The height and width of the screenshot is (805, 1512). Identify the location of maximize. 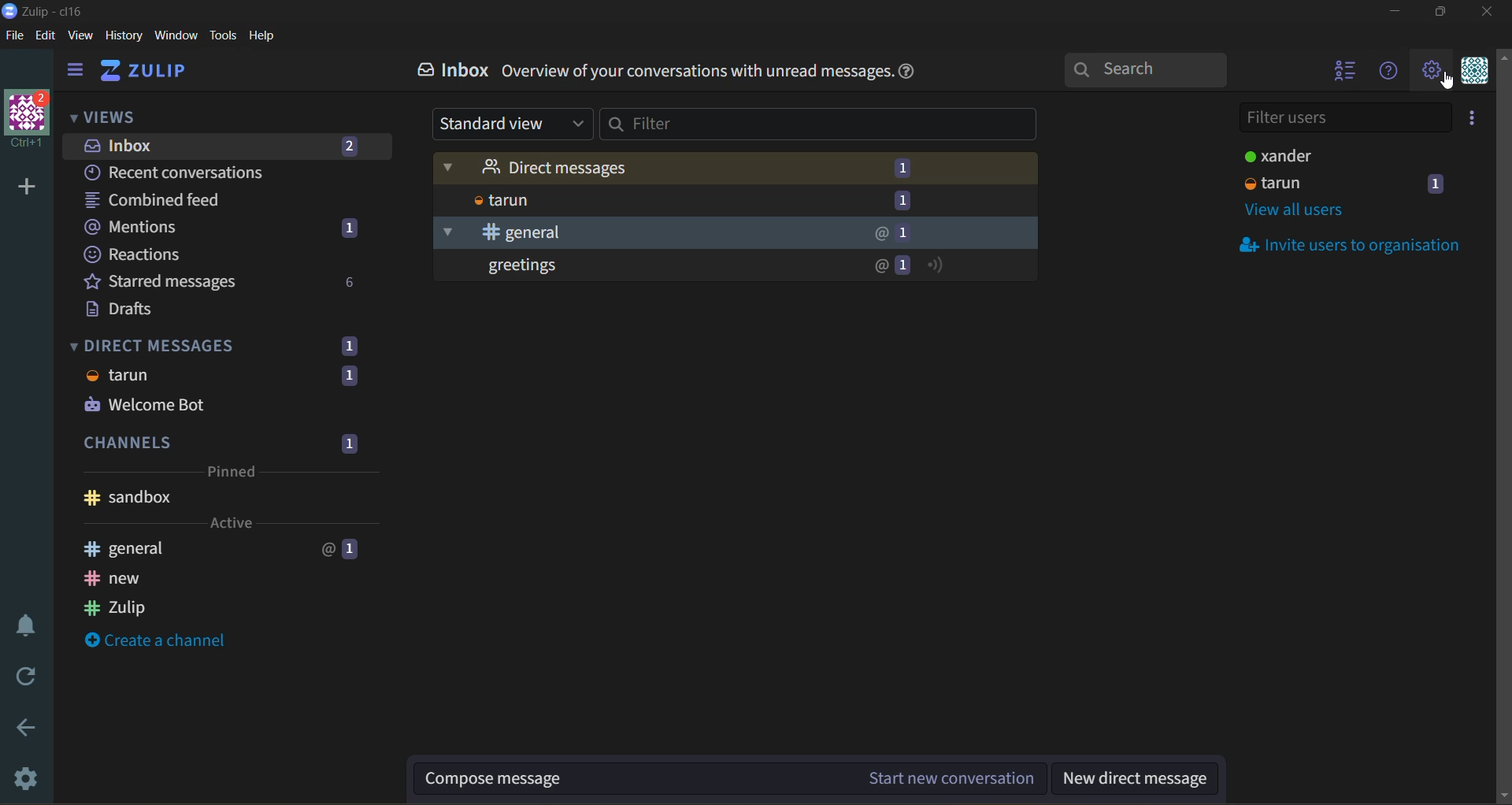
(1440, 15).